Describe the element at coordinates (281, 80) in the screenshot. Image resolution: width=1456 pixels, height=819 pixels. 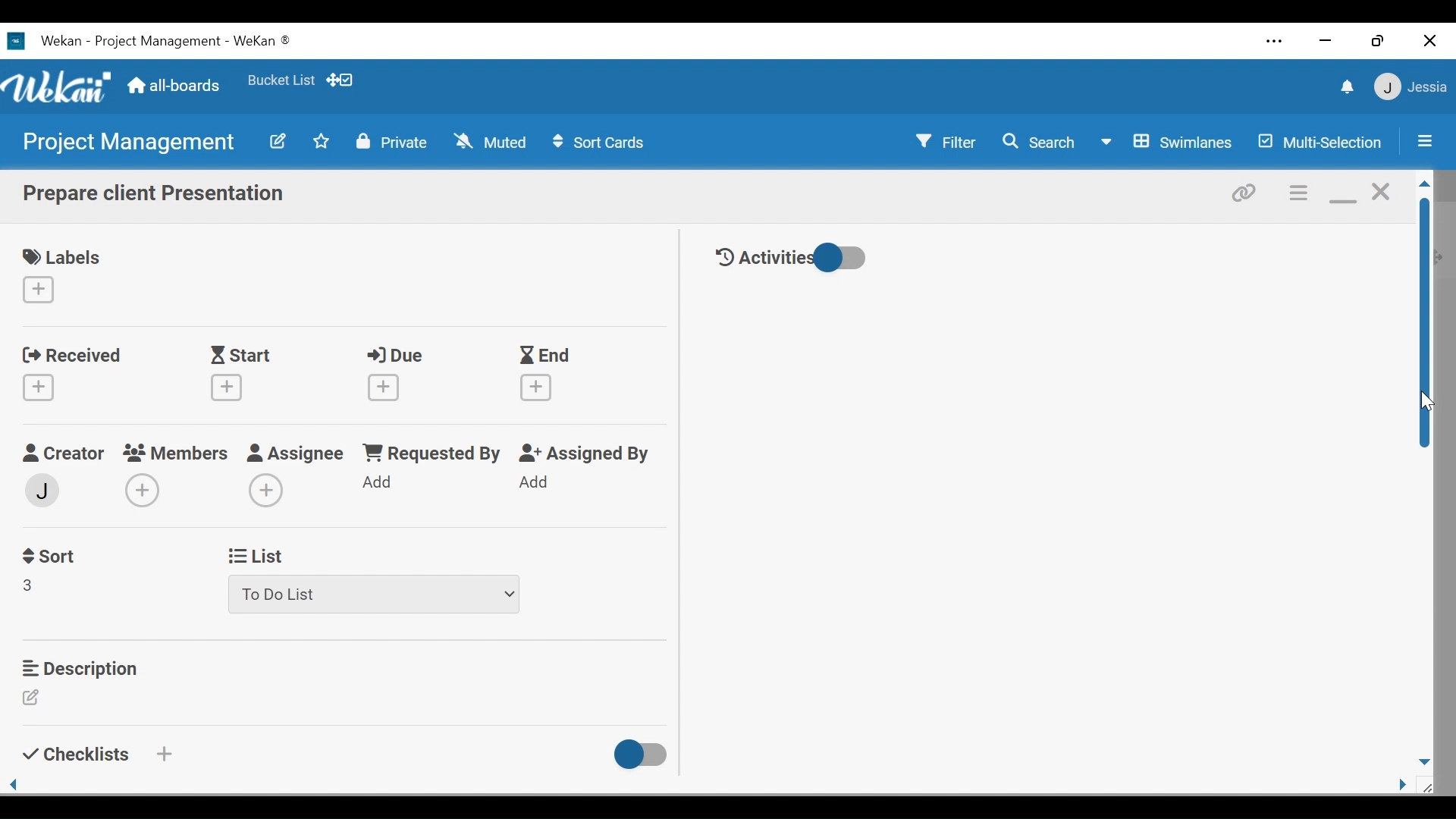
I see `Favorite` at that location.